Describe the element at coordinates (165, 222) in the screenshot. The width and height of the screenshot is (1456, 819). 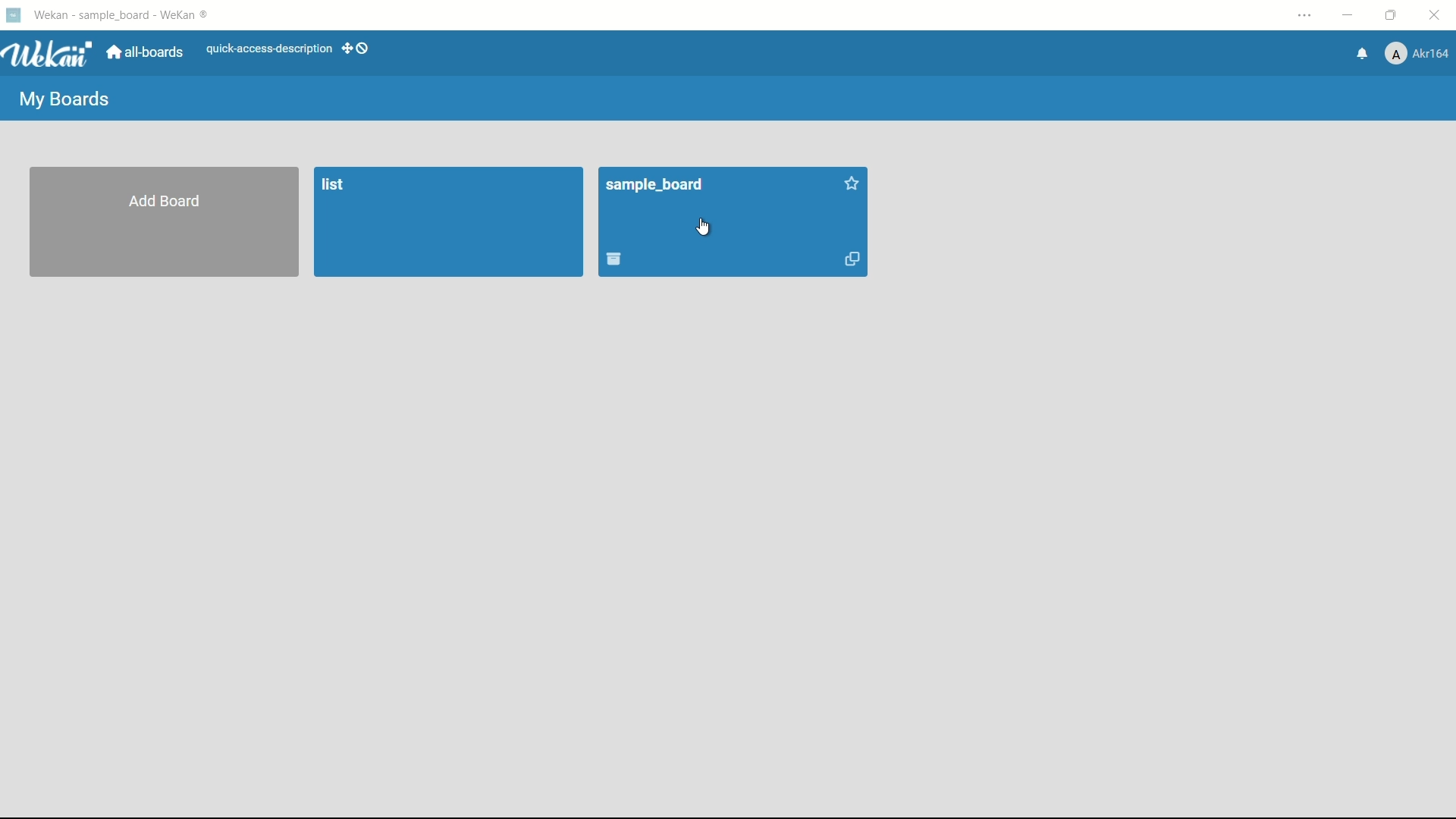
I see `add board` at that location.